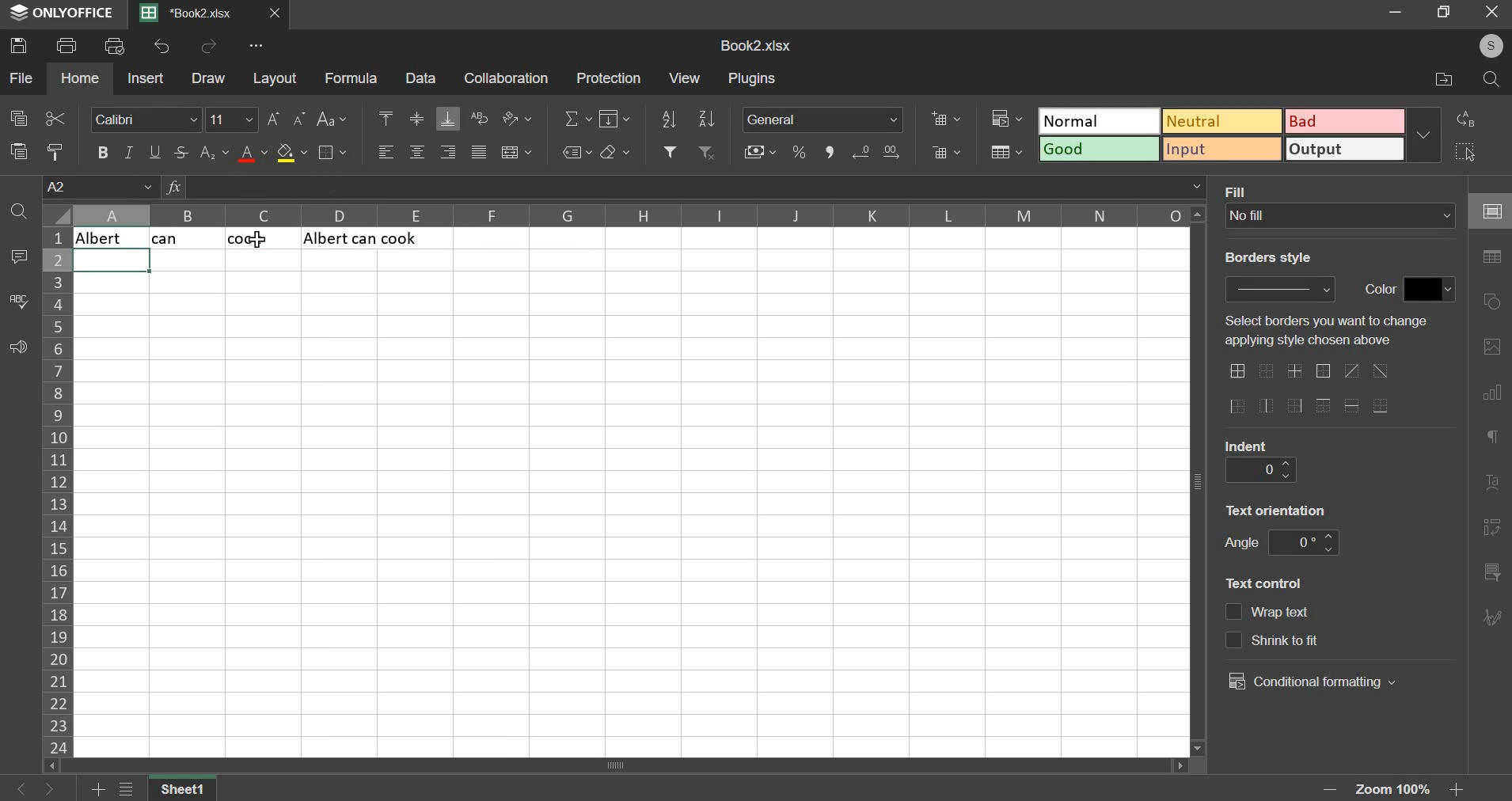  What do you see at coordinates (448, 119) in the screenshot?
I see `align bottom` at bounding box center [448, 119].